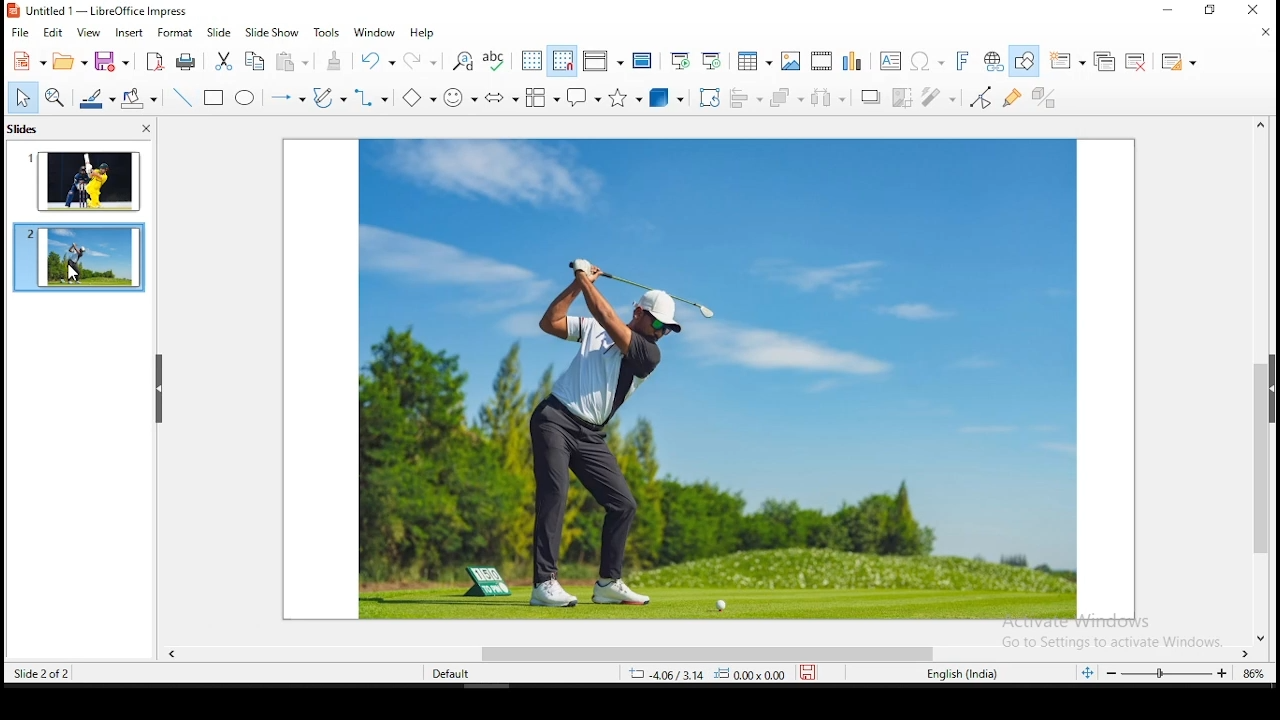 This screenshot has height=720, width=1280. I want to click on symbol shapes, so click(459, 97).